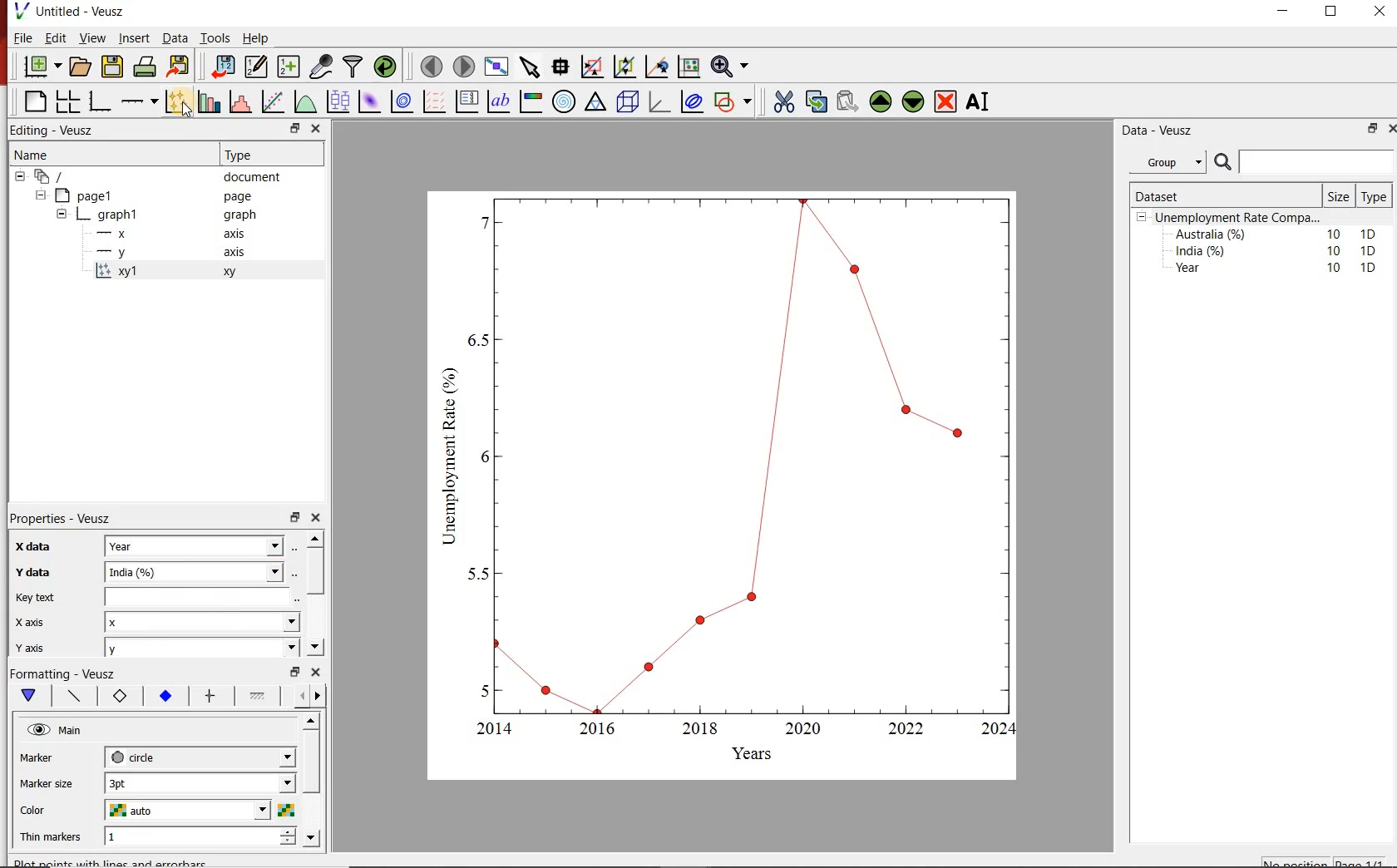 The image size is (1397, 868). I want to click on increase, so click(290, 831).